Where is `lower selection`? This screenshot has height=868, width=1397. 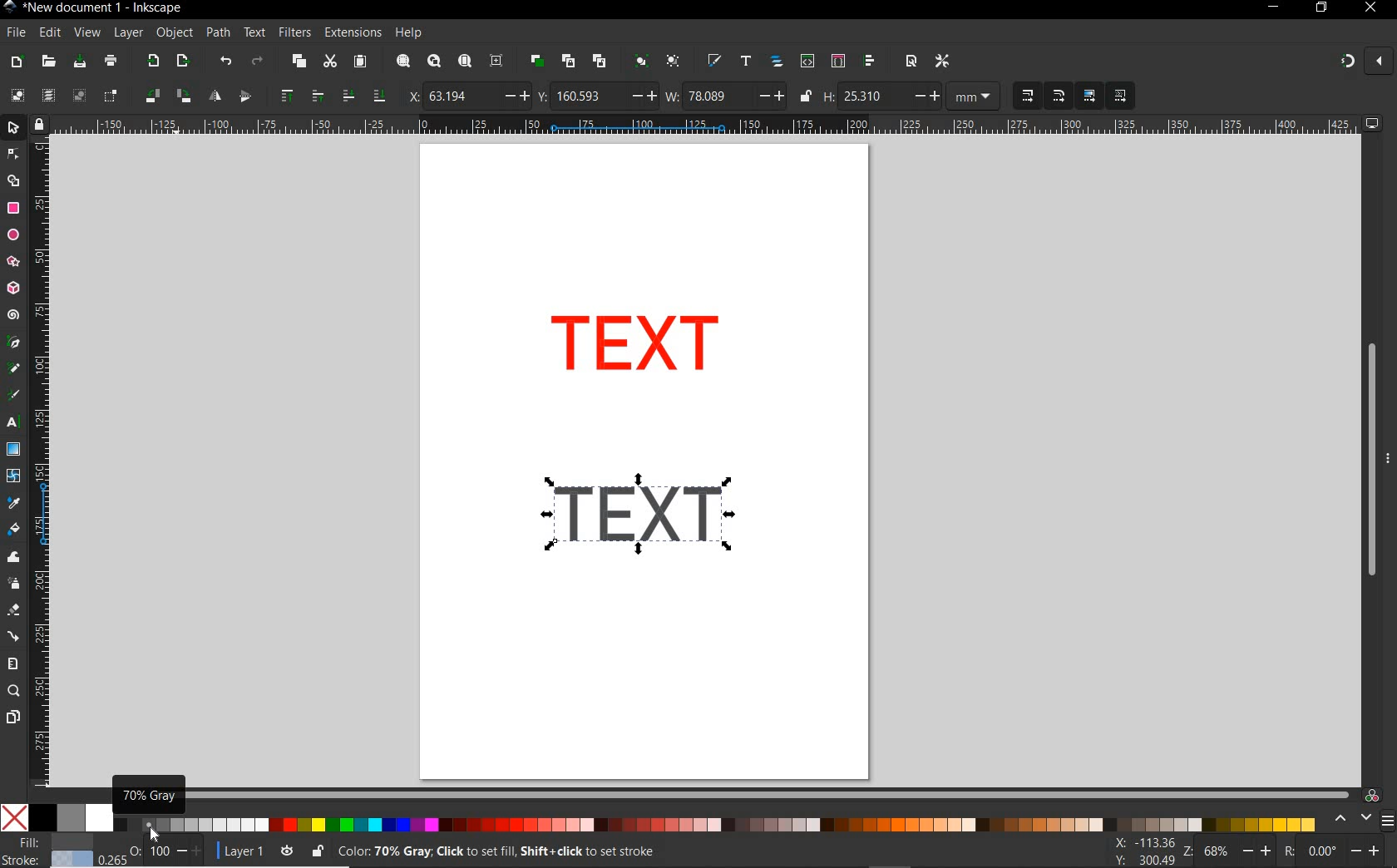 lower selection is located at coordinates (362, 96).